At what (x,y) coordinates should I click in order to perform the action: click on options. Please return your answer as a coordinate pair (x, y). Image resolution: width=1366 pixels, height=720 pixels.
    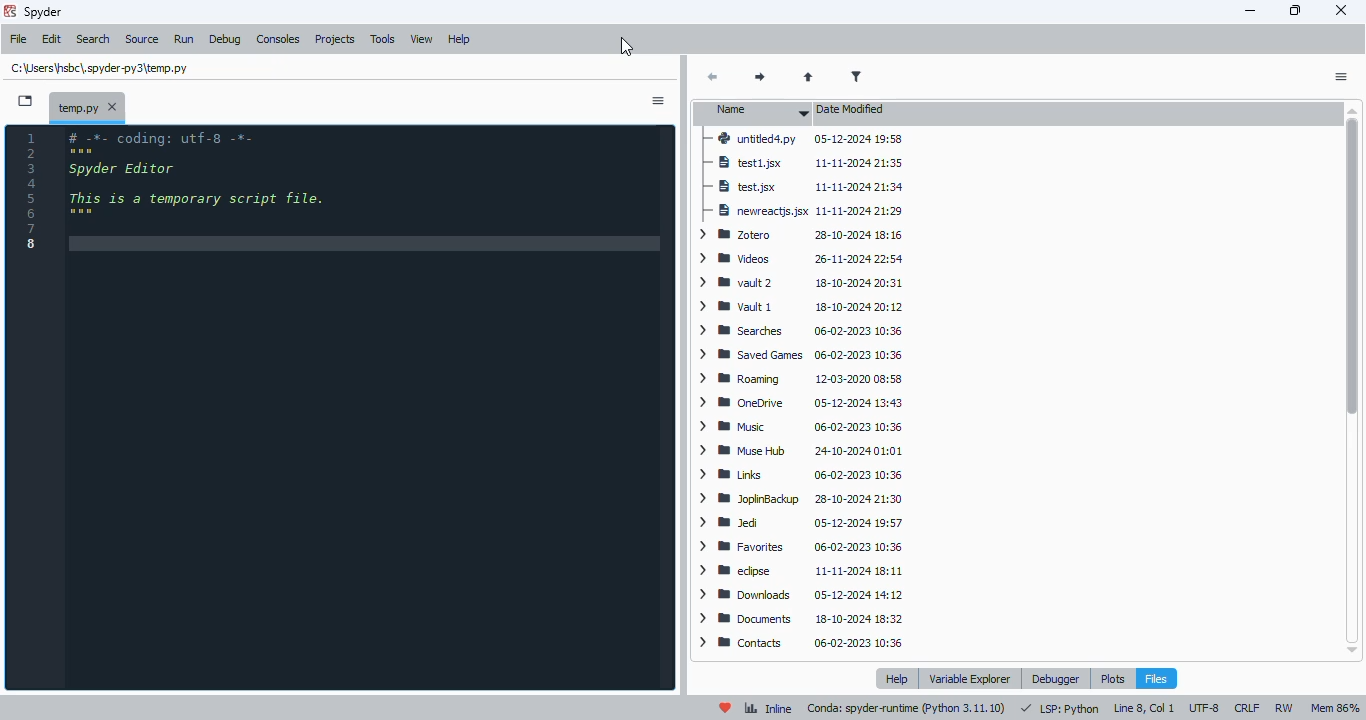
    Looking at the image, I should click on (1341, 78).